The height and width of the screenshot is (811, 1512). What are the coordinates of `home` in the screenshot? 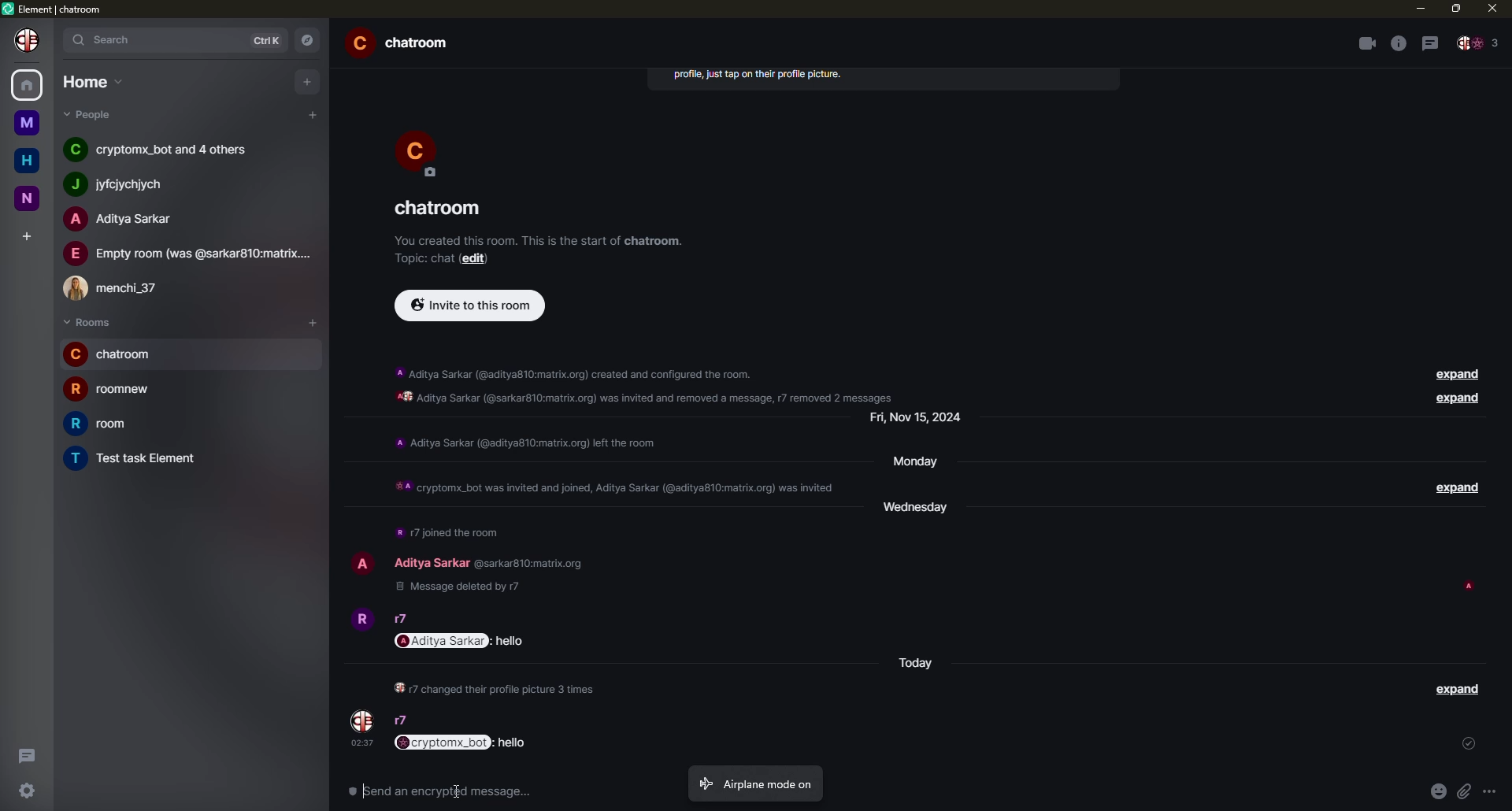 It's located at (27, 159).